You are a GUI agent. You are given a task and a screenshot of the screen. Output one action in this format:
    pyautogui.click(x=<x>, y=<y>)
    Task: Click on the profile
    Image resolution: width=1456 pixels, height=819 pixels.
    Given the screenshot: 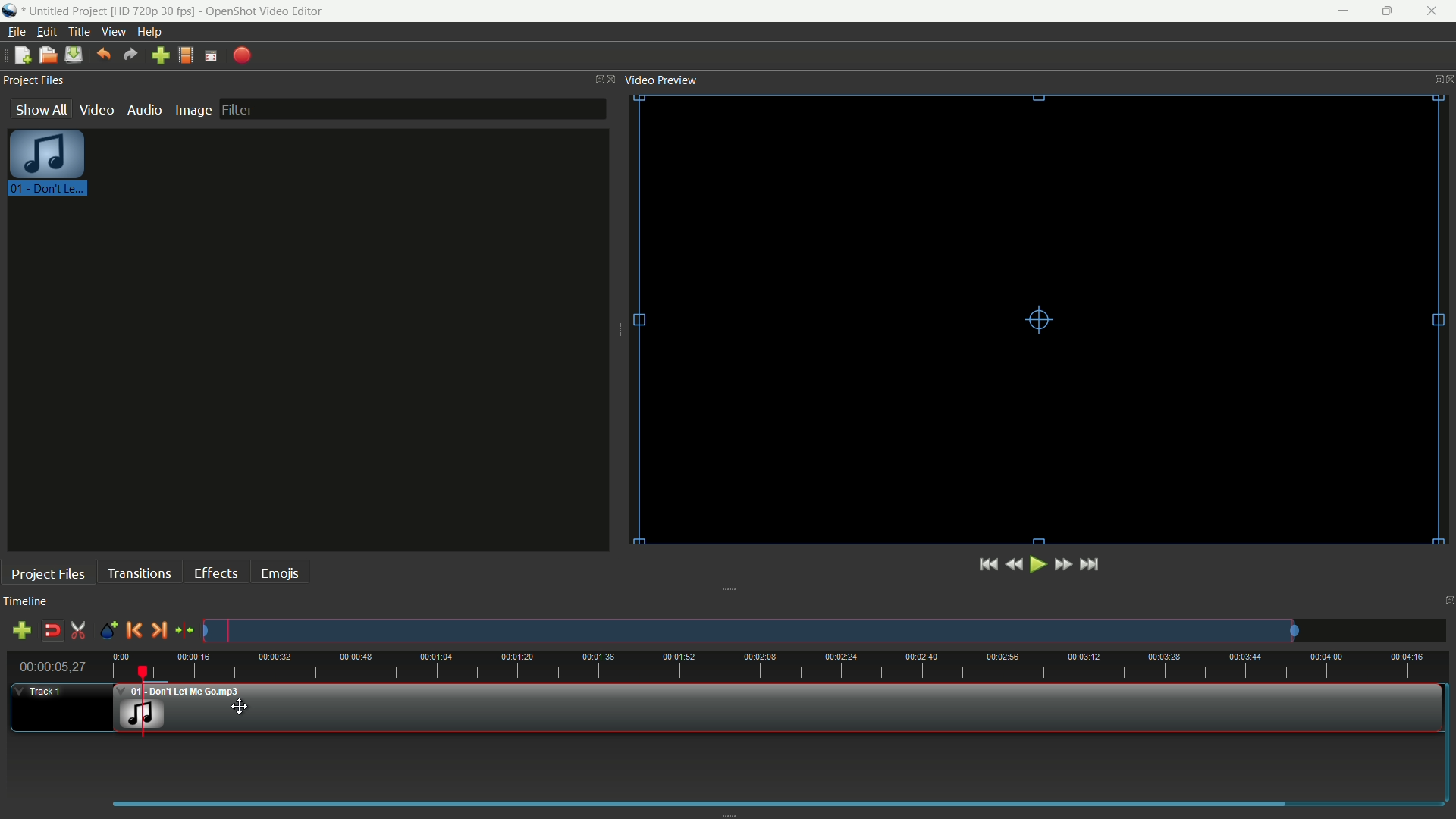 What is the action you would take?
    pyautogui.click(x=153, y=11)
    